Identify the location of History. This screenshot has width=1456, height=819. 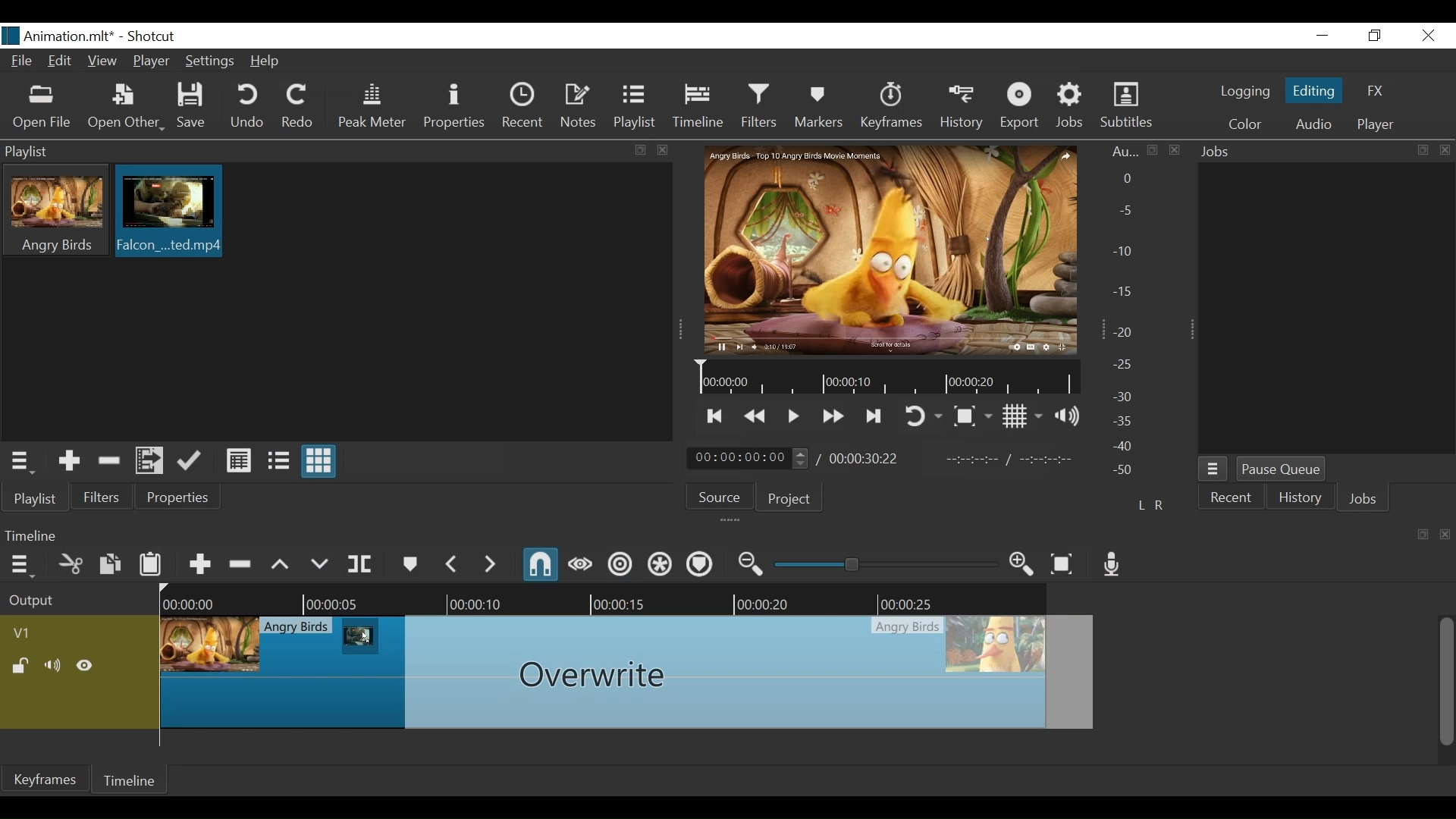
(1301, 499).